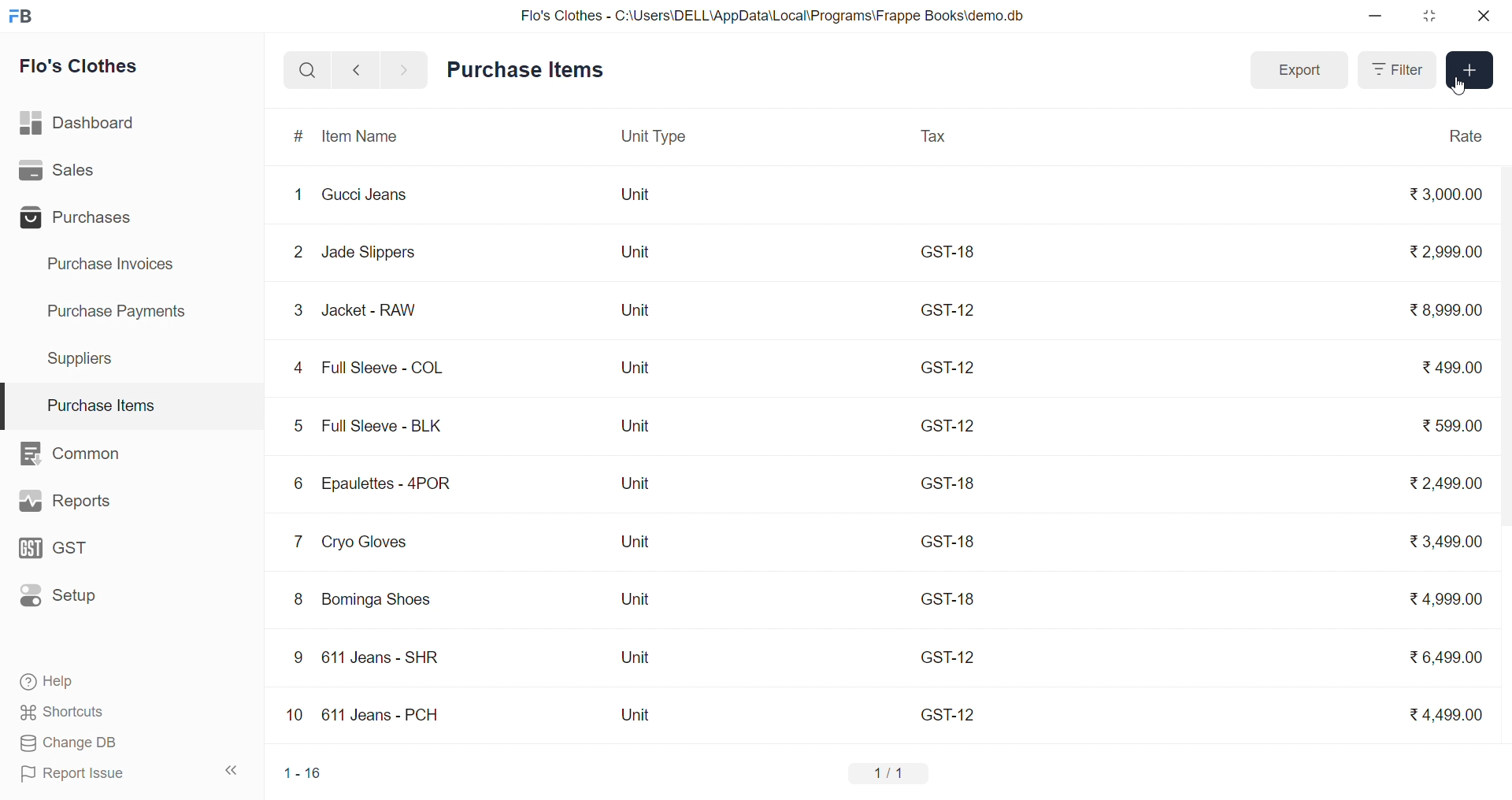 The image size is (1512, 800). Describe the element at coordinates (302, 774) in the screenshot. I see `1-16` at that location.